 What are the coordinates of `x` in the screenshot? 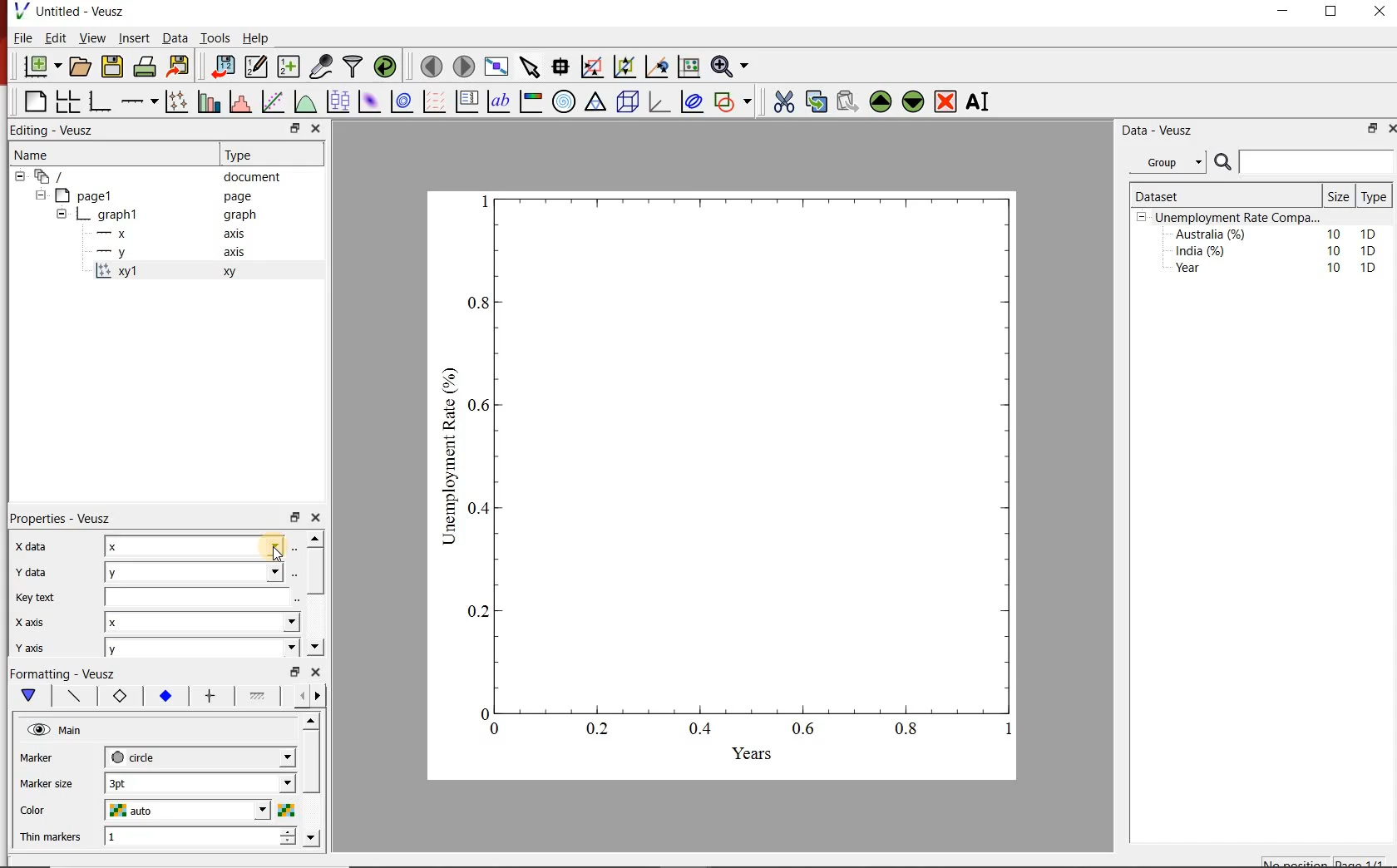 It's located at (200, 622).